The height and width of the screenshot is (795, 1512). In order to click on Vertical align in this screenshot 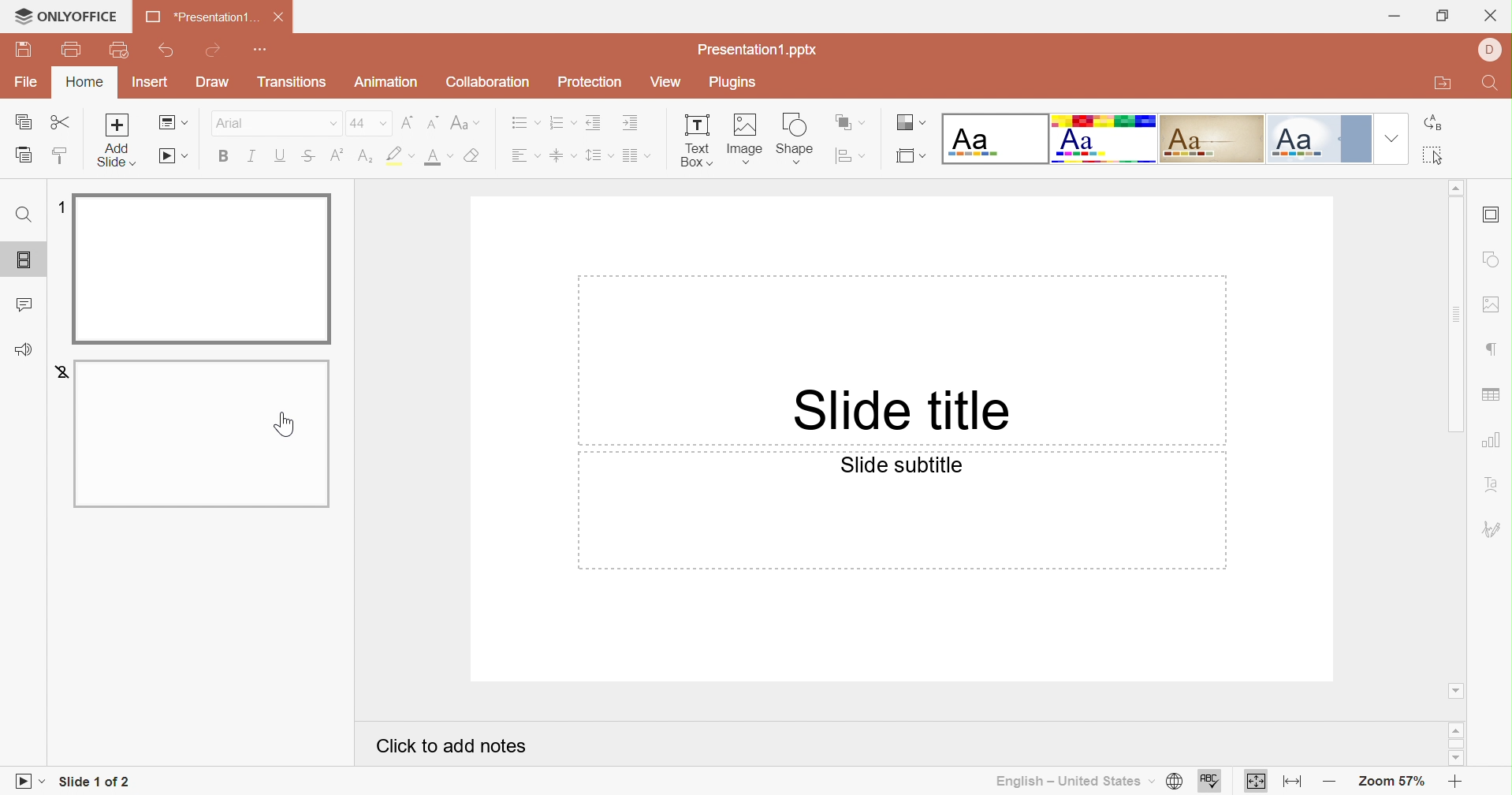, I will do `click(564, 155)`.